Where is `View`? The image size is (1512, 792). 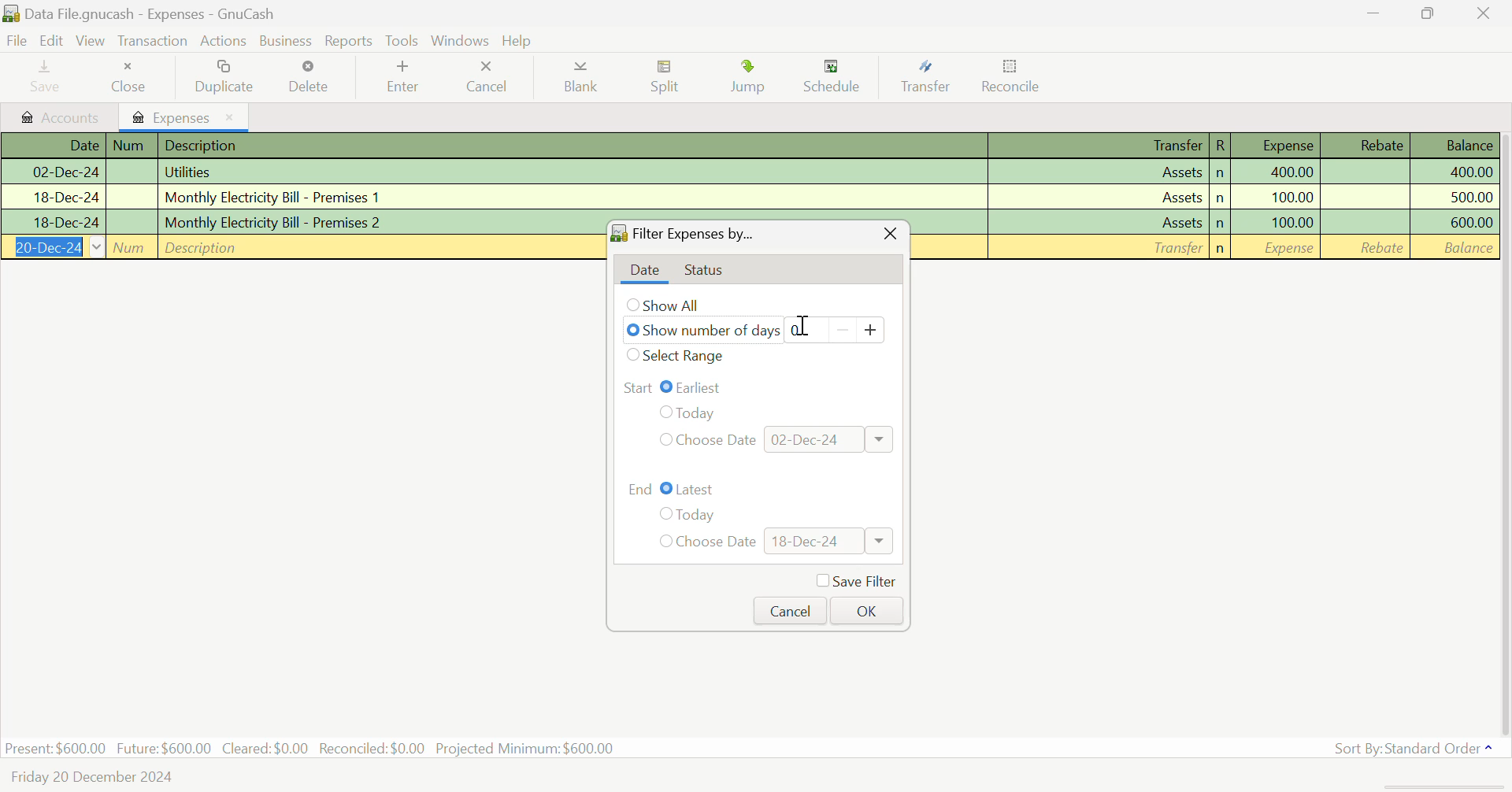 View is located at coordinates (91, 42).